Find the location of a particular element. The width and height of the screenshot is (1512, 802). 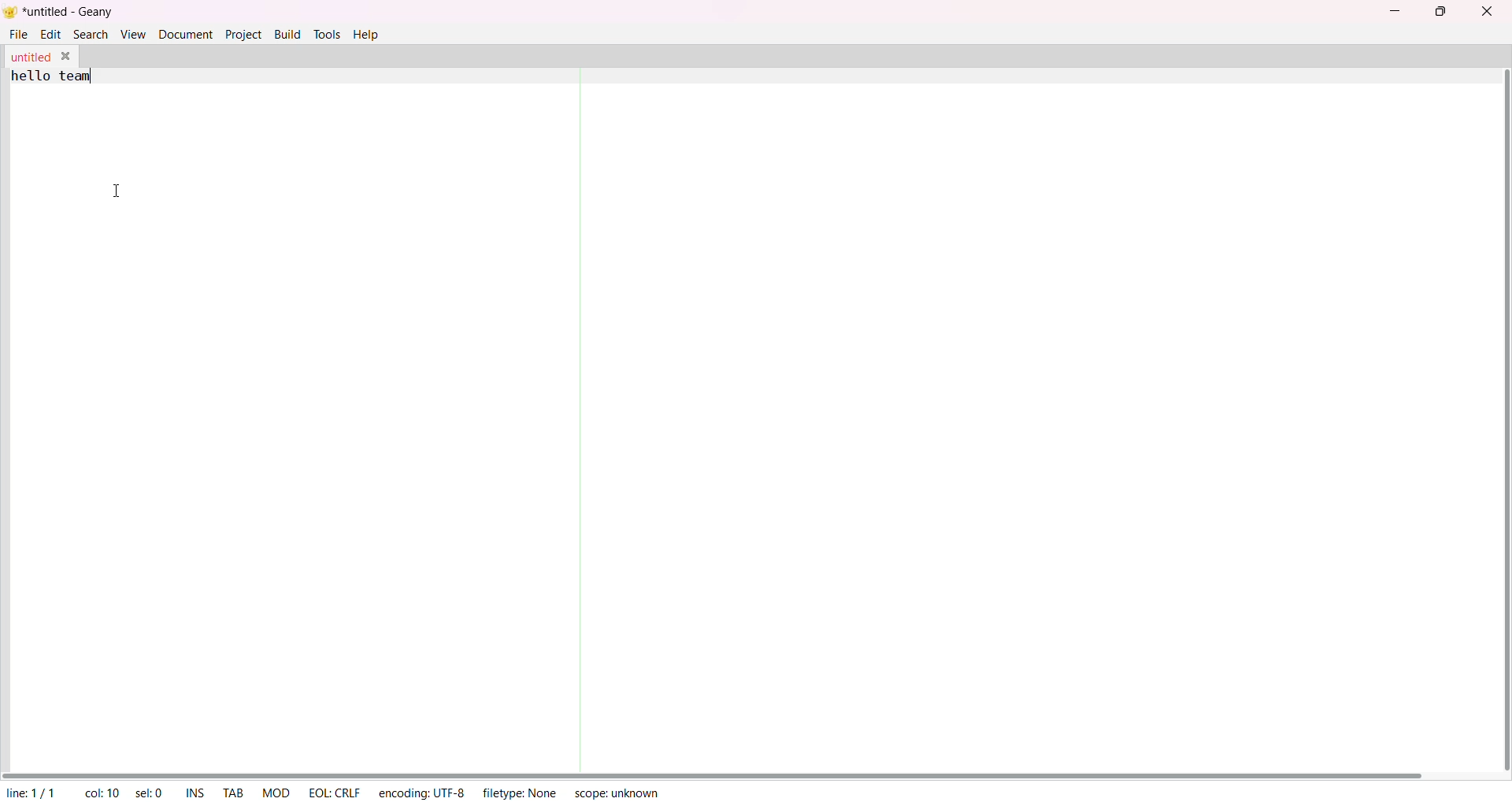

tools is located at coordinates (327, 34).